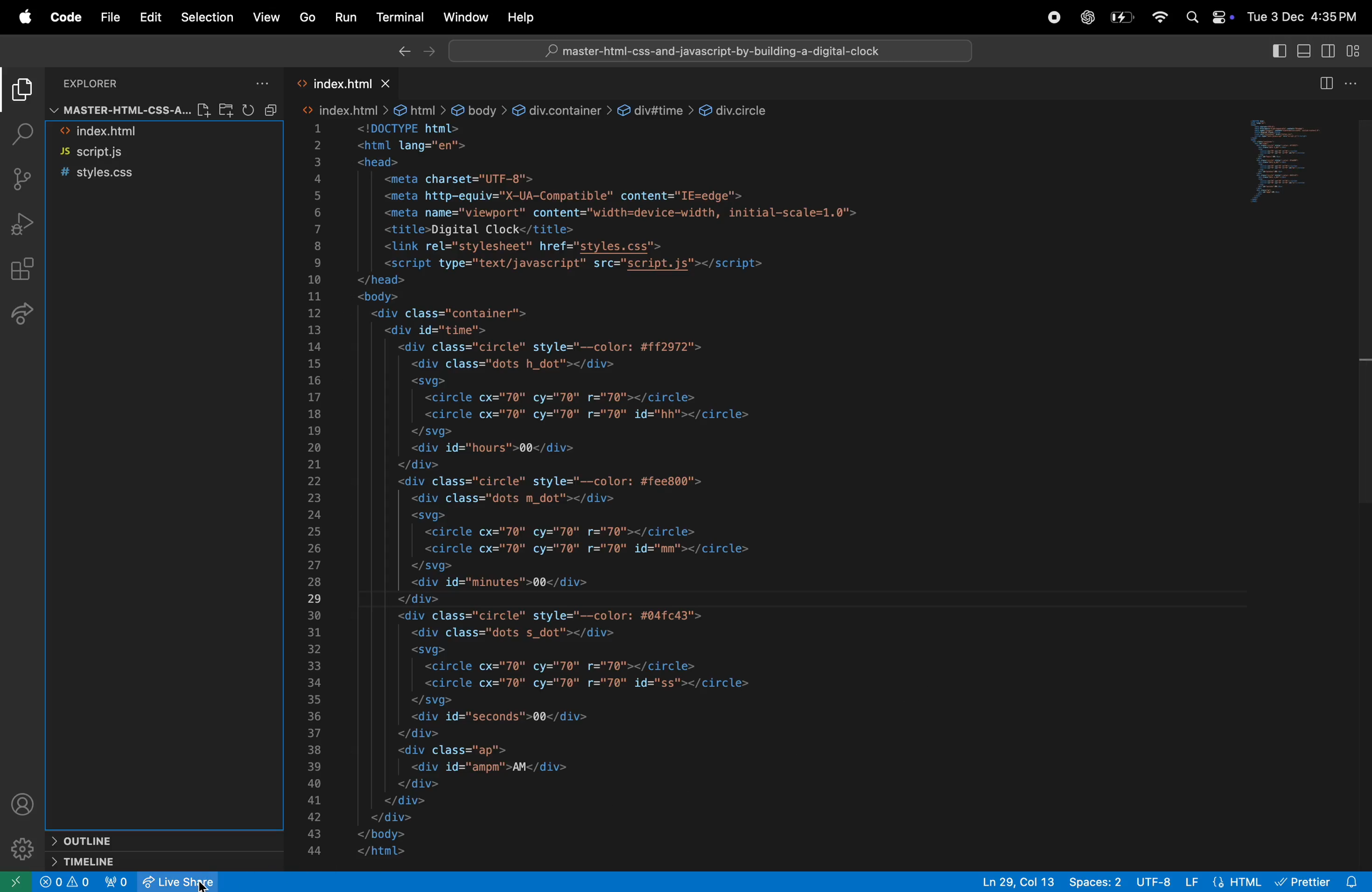 The image size is (1372, 892). Describe the element at coordinates (149, 17) in the screenshot. I see `edit` at that location.